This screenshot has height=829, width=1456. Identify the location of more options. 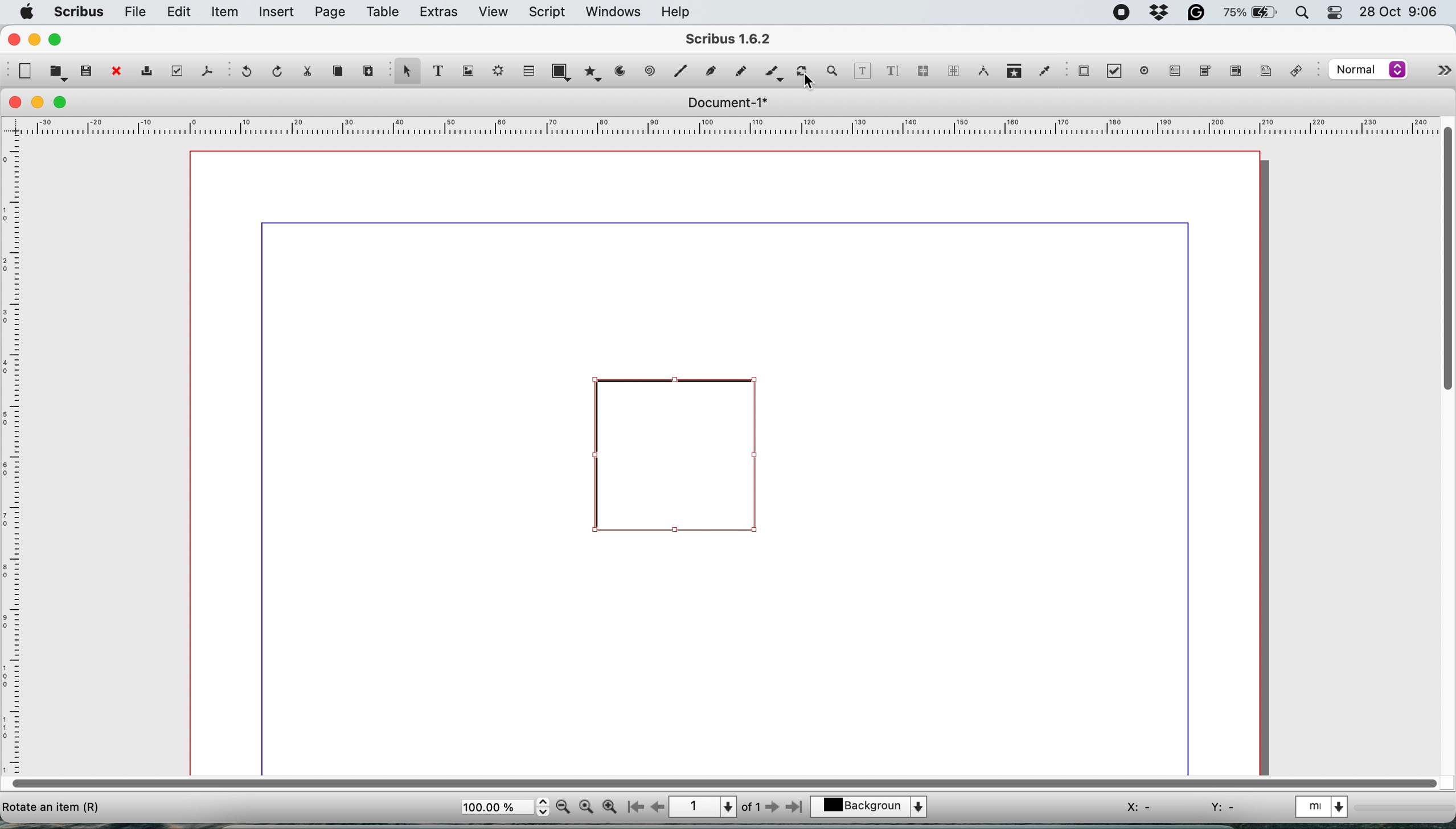
(1439, 68).